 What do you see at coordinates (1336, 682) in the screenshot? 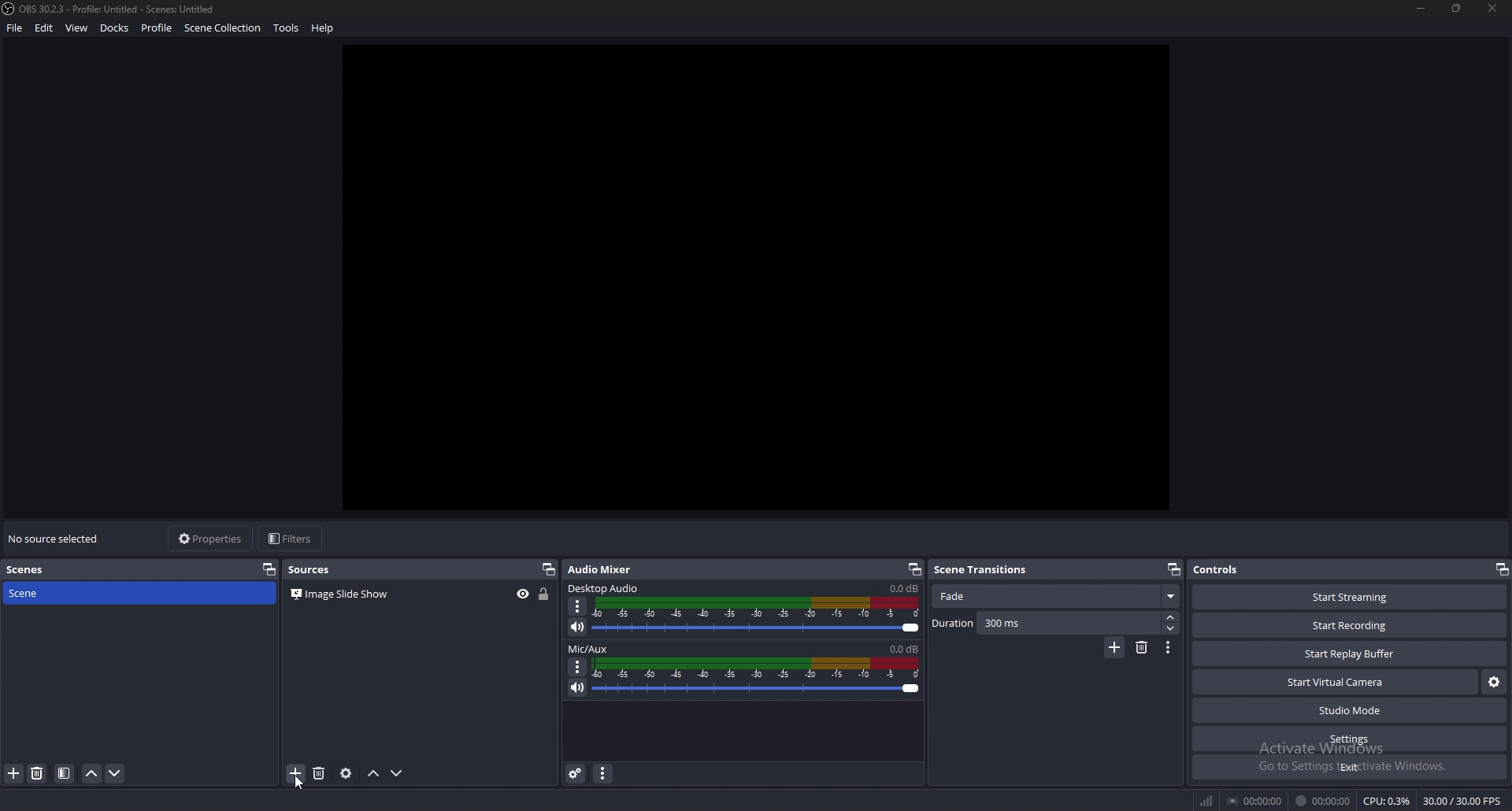
I see `start virtual camera` at bounding box center [1336, 682].